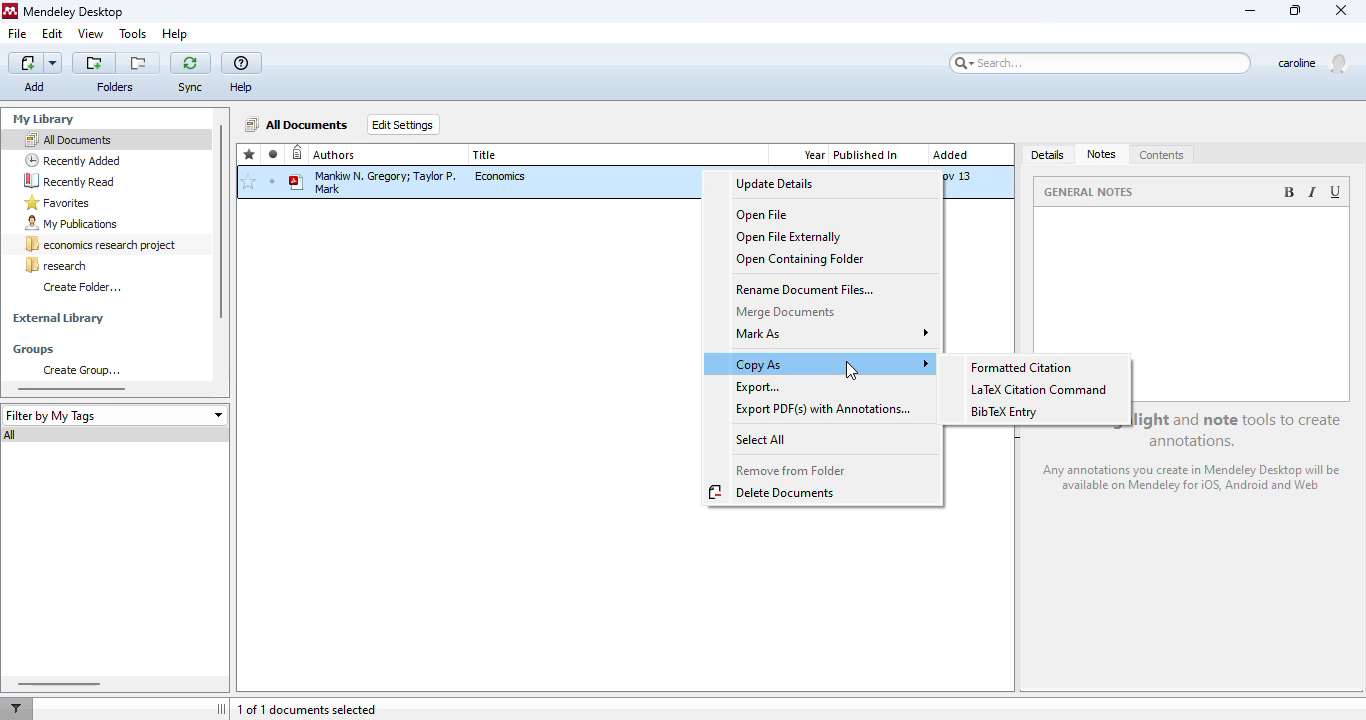 This screenshot has width=1366, height=720. What do you see at coordinates (58, 203) in the screenshot?
I see `favorites` at bounding box center [58, 203].